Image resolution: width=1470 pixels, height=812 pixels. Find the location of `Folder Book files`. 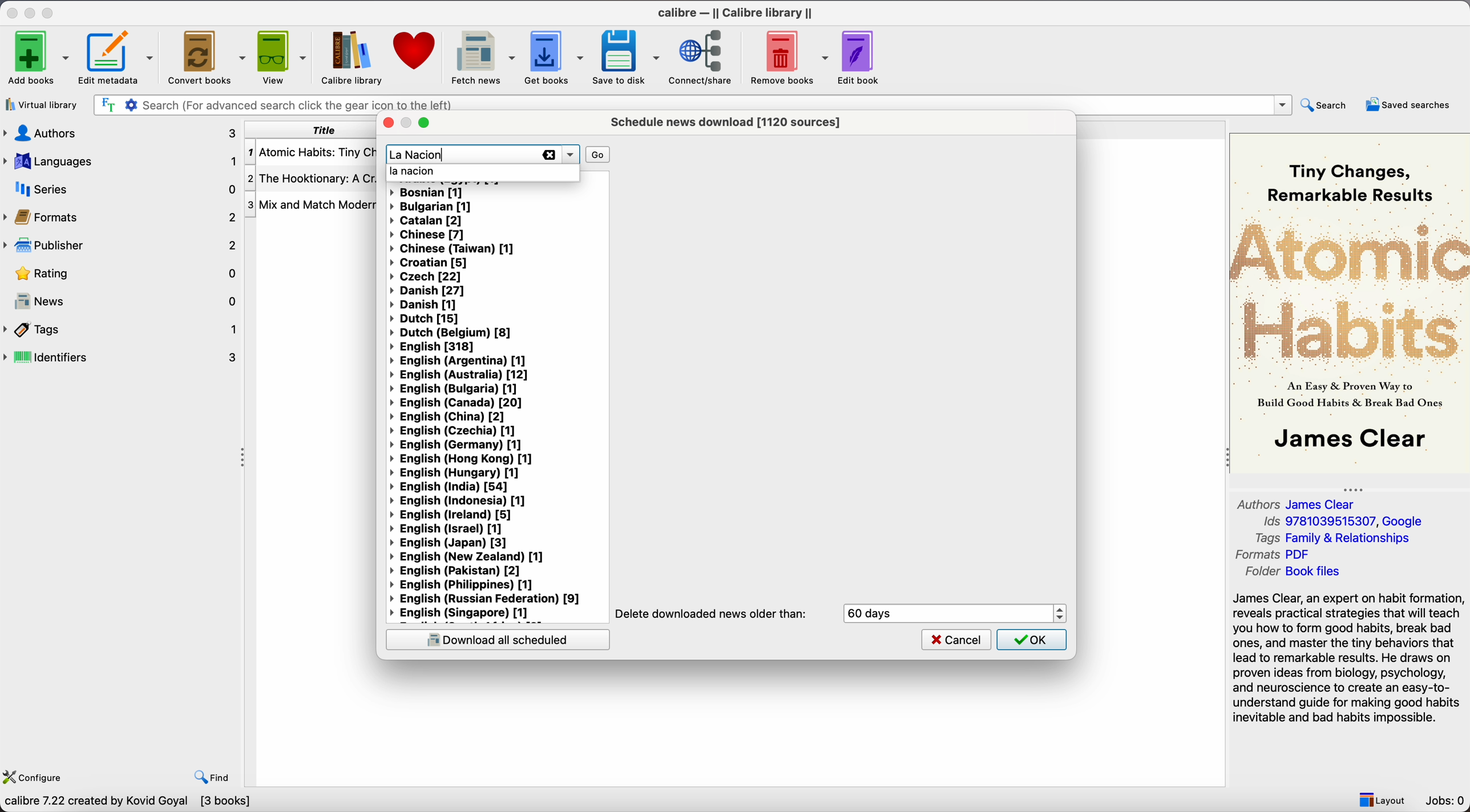

Folder Book files is located at coordinates (1293, 572).